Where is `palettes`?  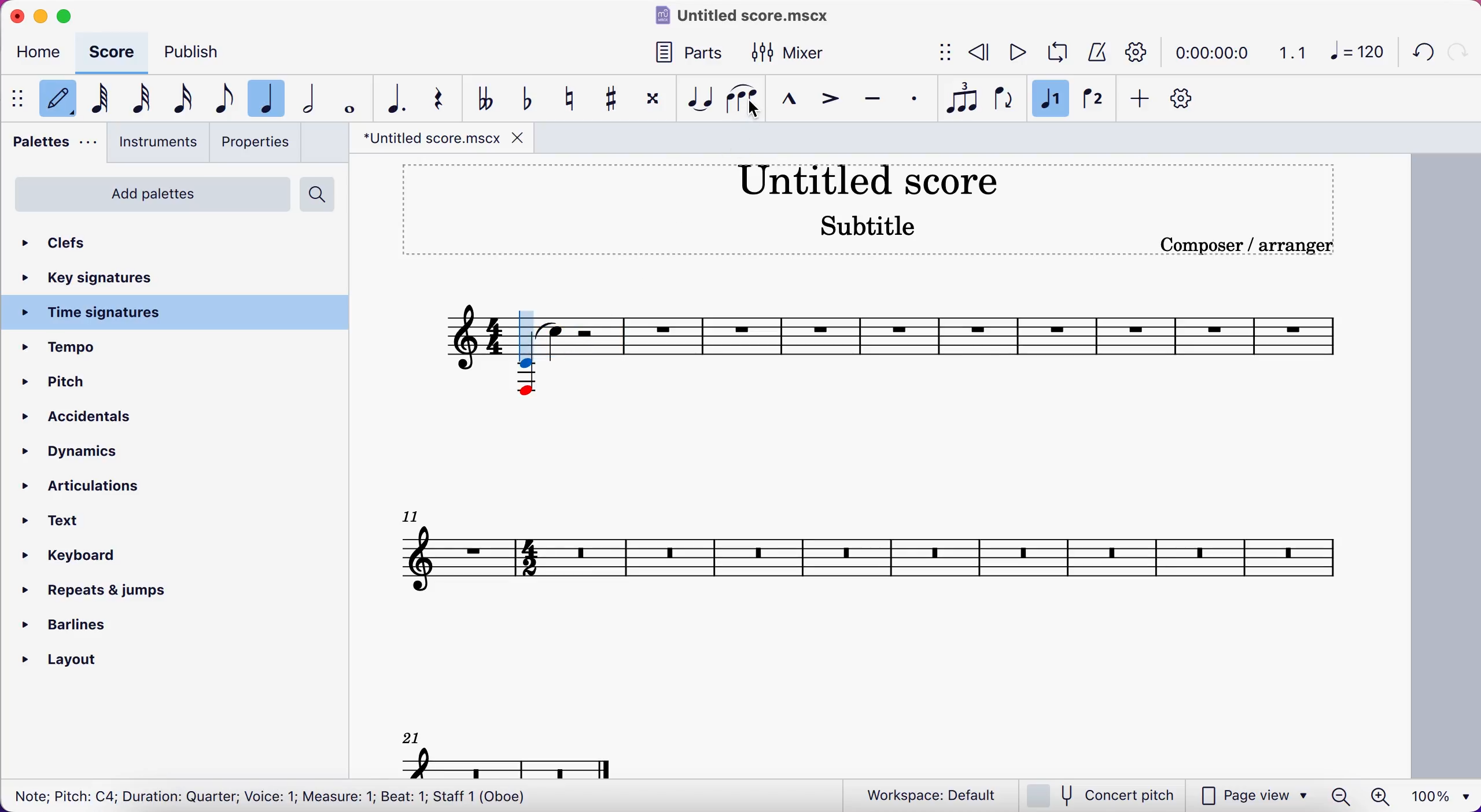 palettes is located at coordinates (56, 147).